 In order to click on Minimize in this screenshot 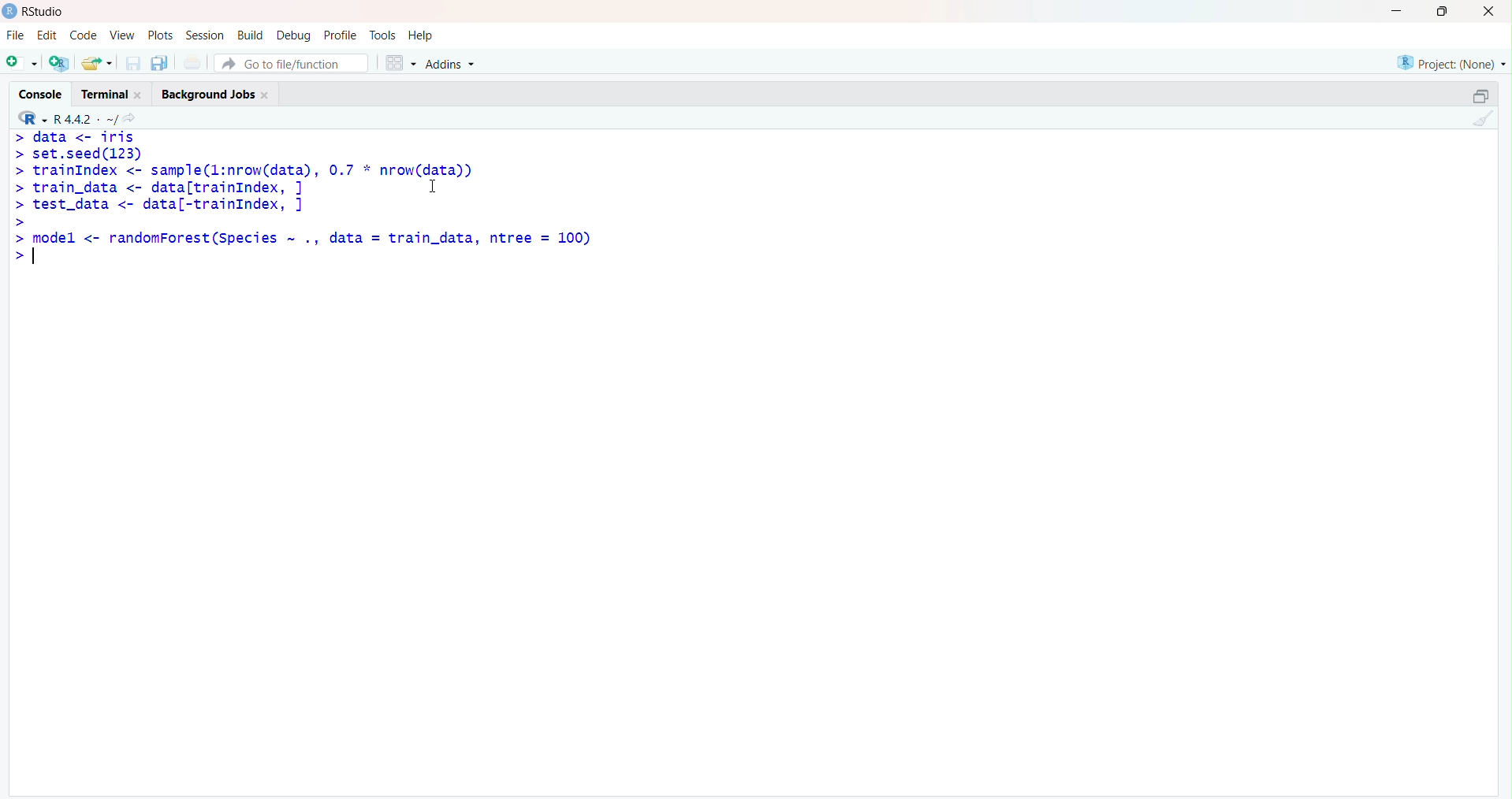, I will do `click(1398, 10)`.